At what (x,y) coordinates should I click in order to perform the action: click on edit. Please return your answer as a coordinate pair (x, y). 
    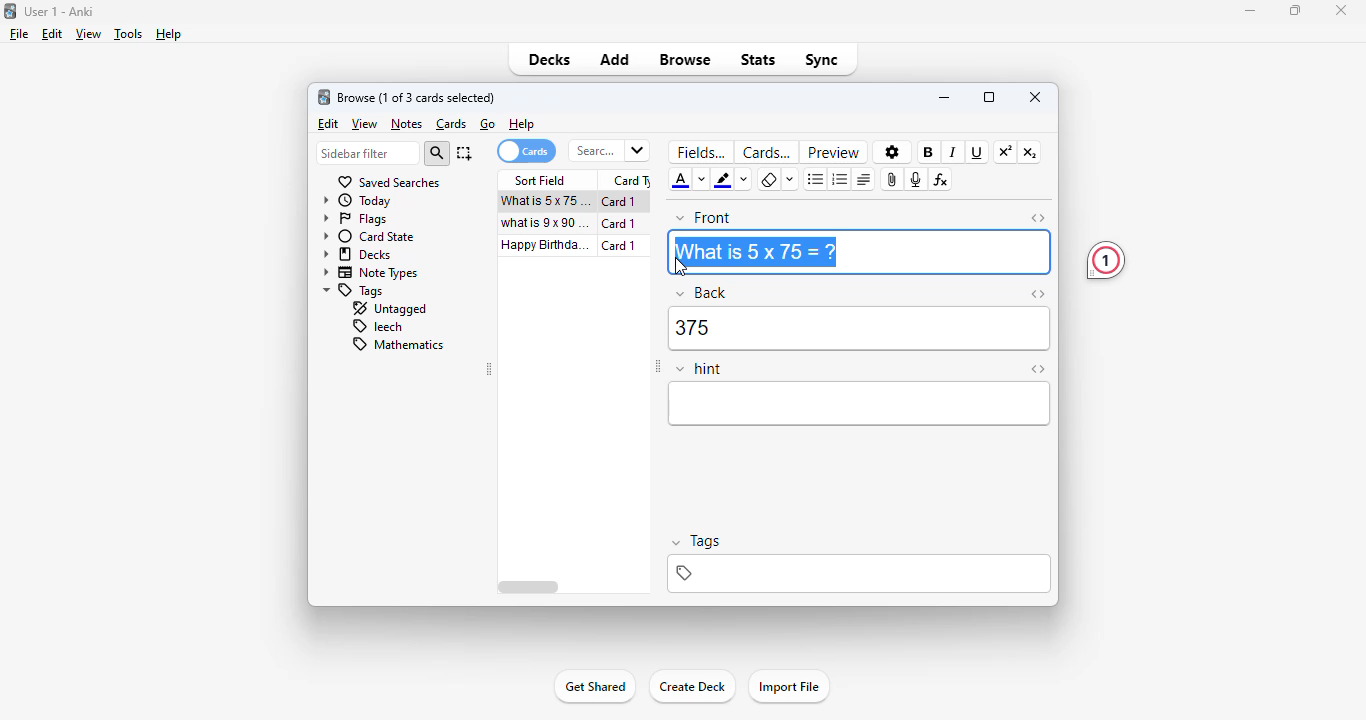
    Looking at the image, I should click on (328, 123).